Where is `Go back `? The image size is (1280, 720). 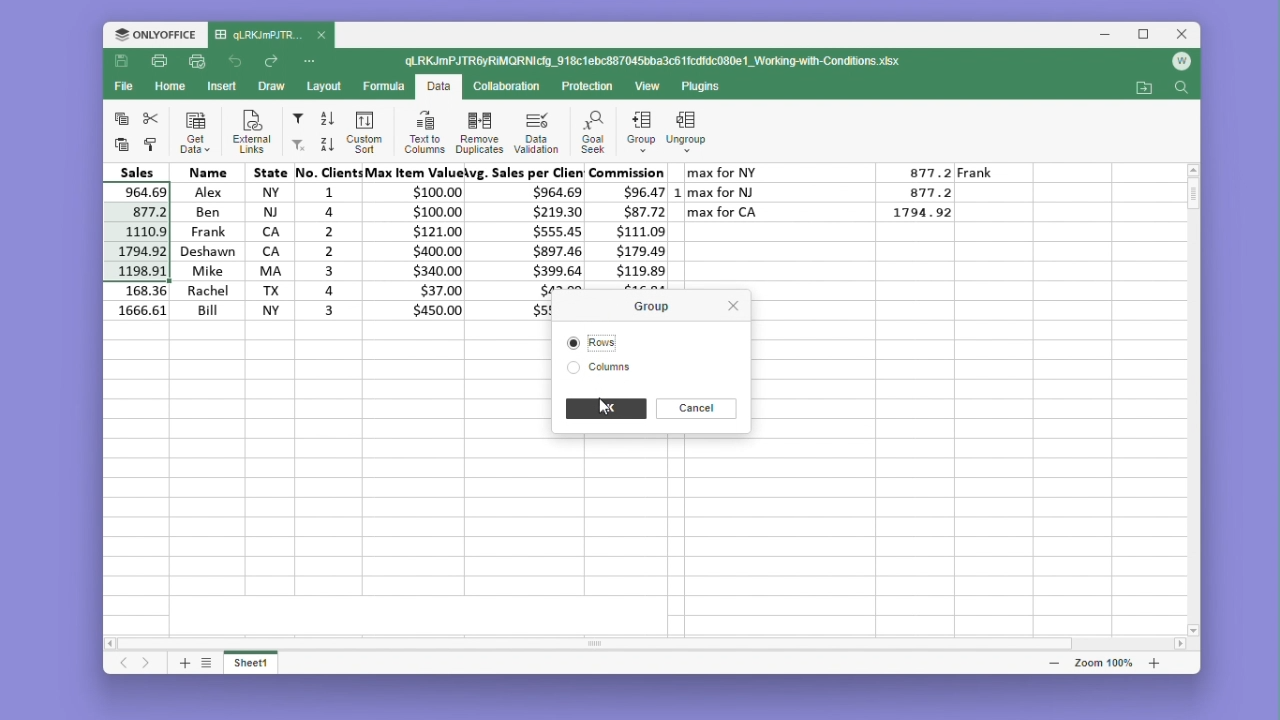
Go back  is located at coordinates (238, 62).